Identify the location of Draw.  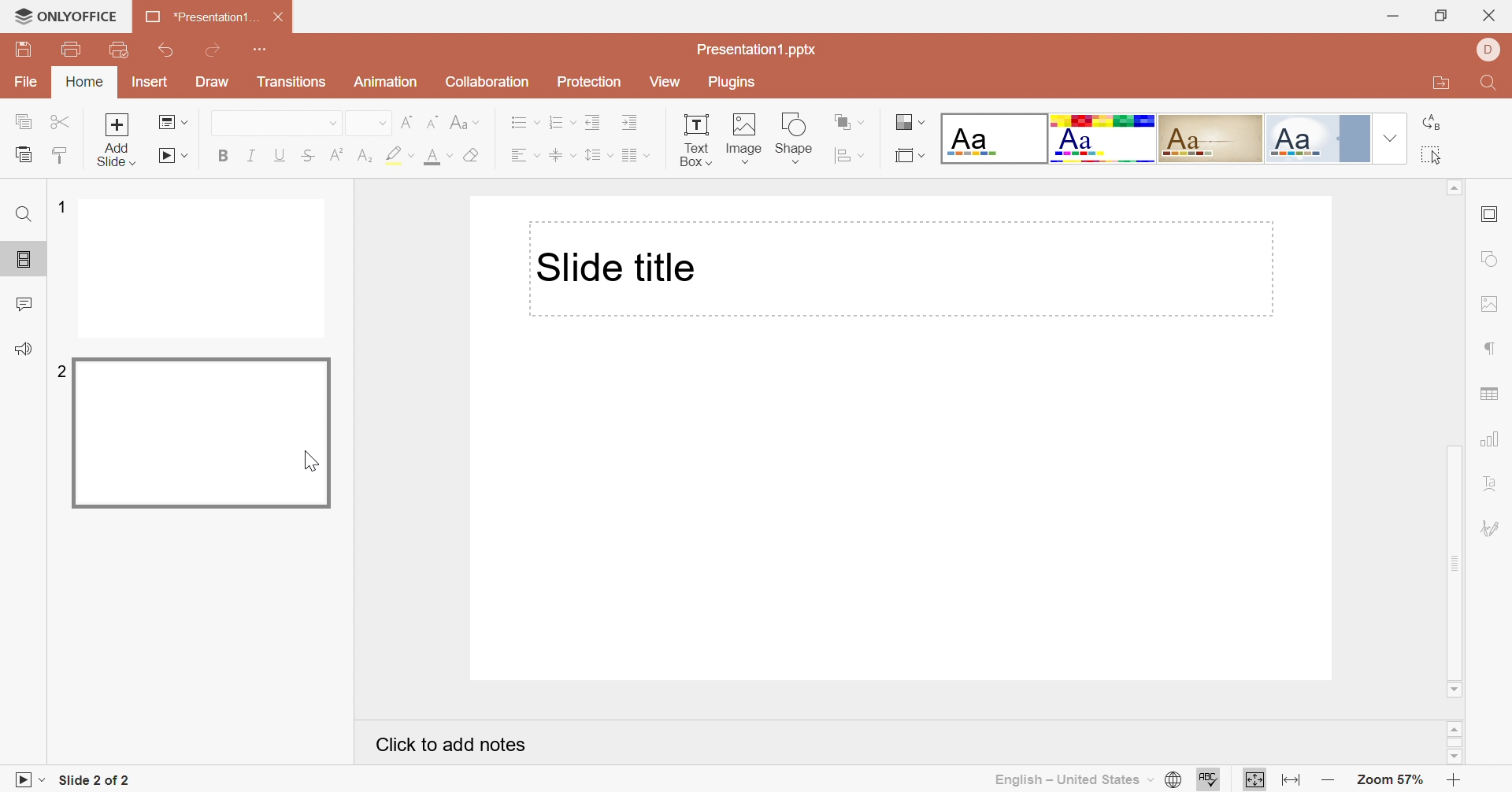
(212, 81).